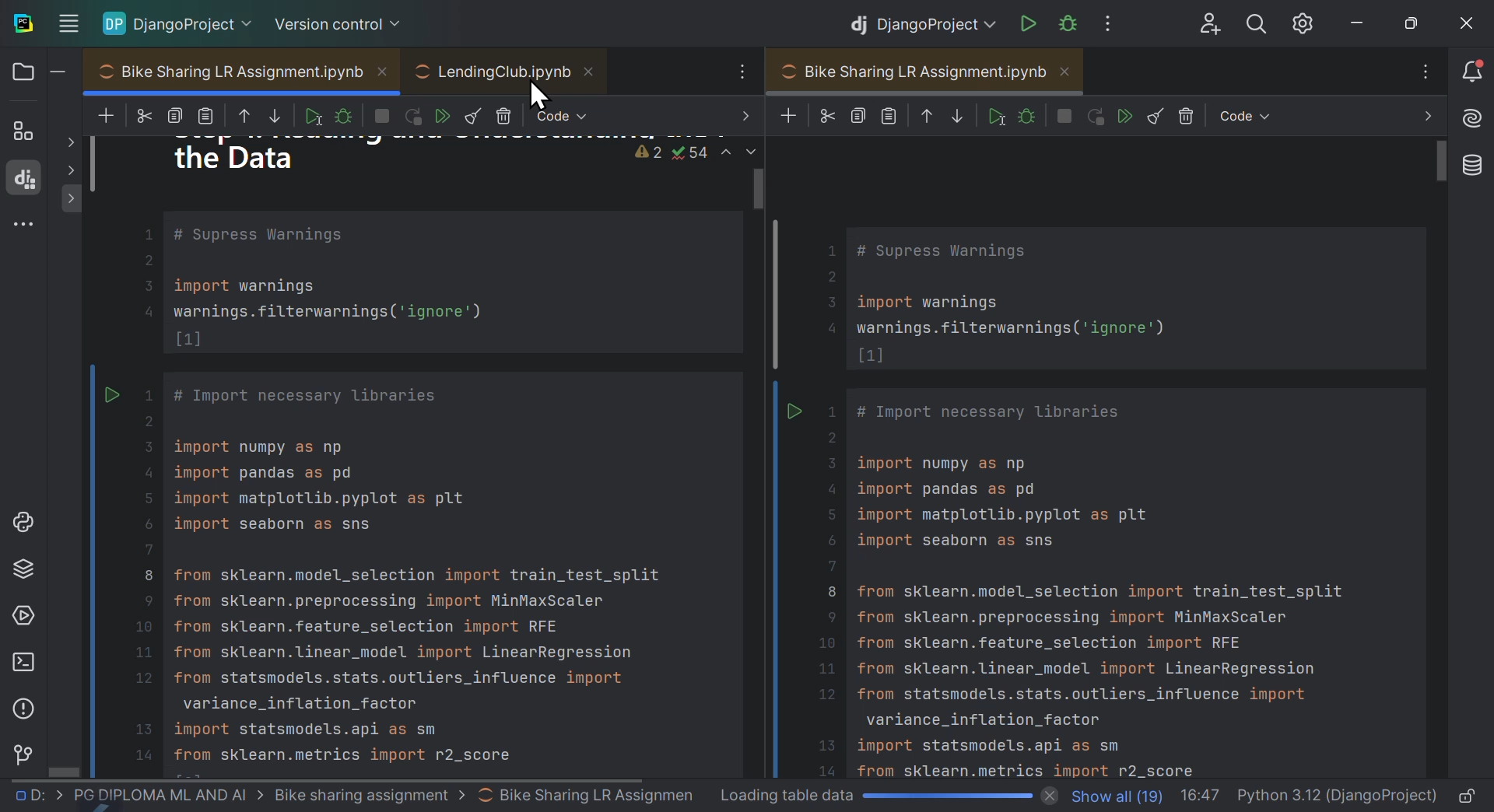 The image size is (1494, 812). Describe the element at coordinates (347, 117) in the screenshot. I see `debug cell` at that location.